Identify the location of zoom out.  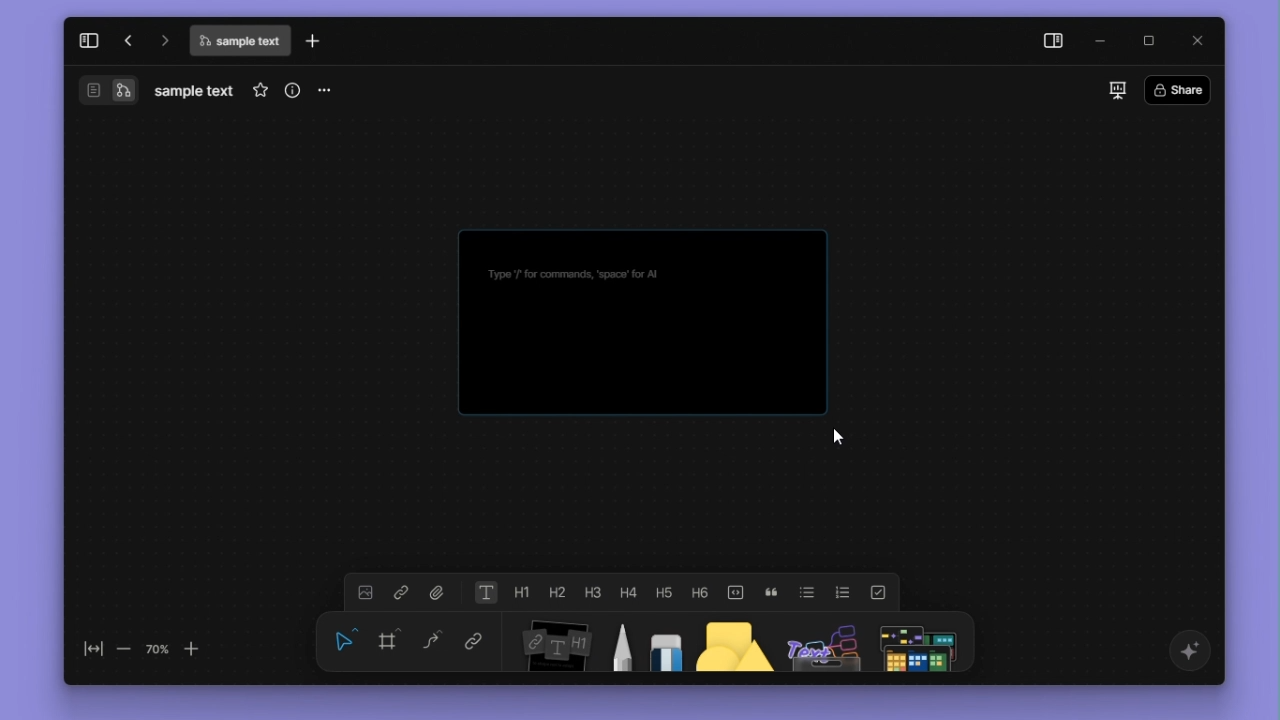
(124, 650).